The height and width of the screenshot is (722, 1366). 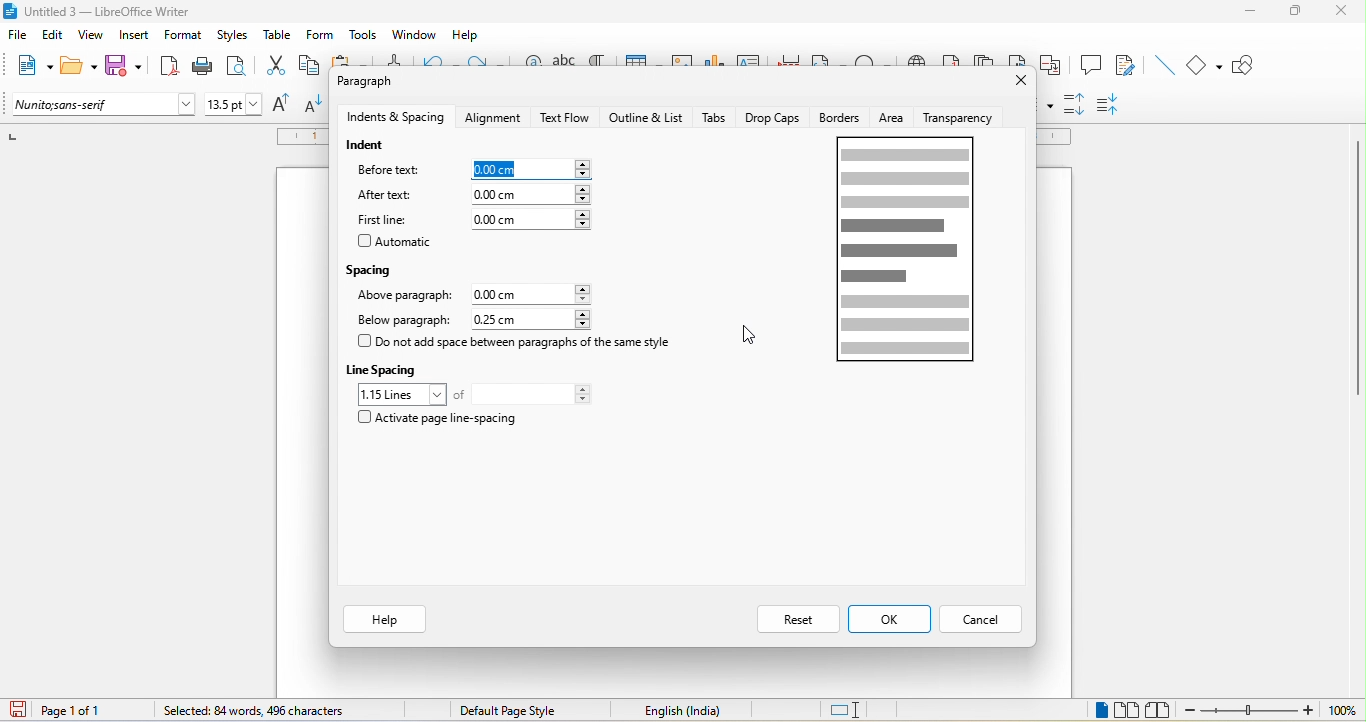 I want to click on page, so click(x=906, y=250).